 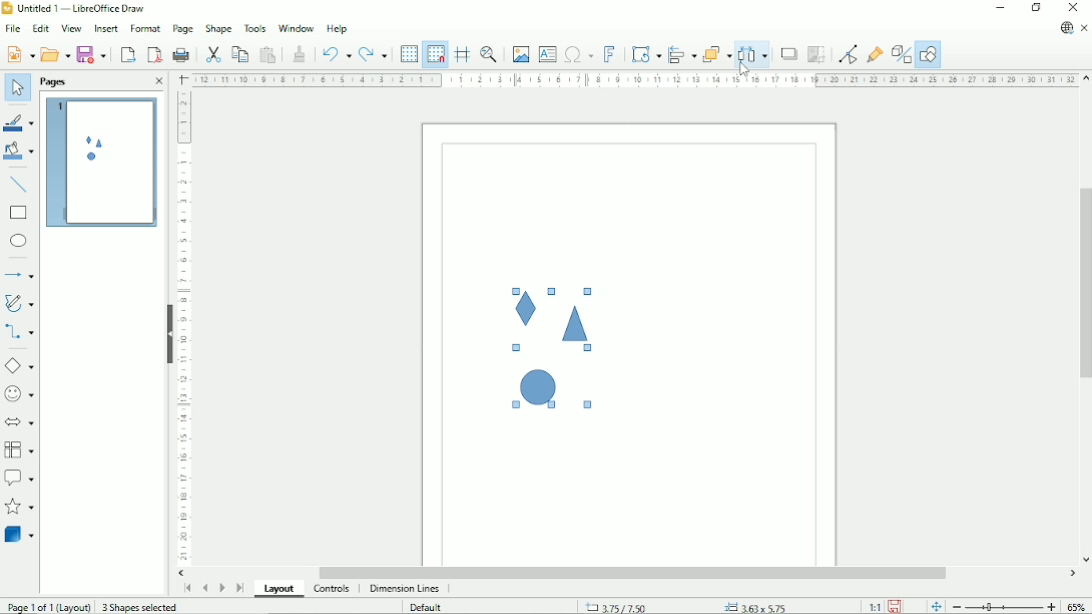 I want to click on Cursor, so click(x=744, y=70).